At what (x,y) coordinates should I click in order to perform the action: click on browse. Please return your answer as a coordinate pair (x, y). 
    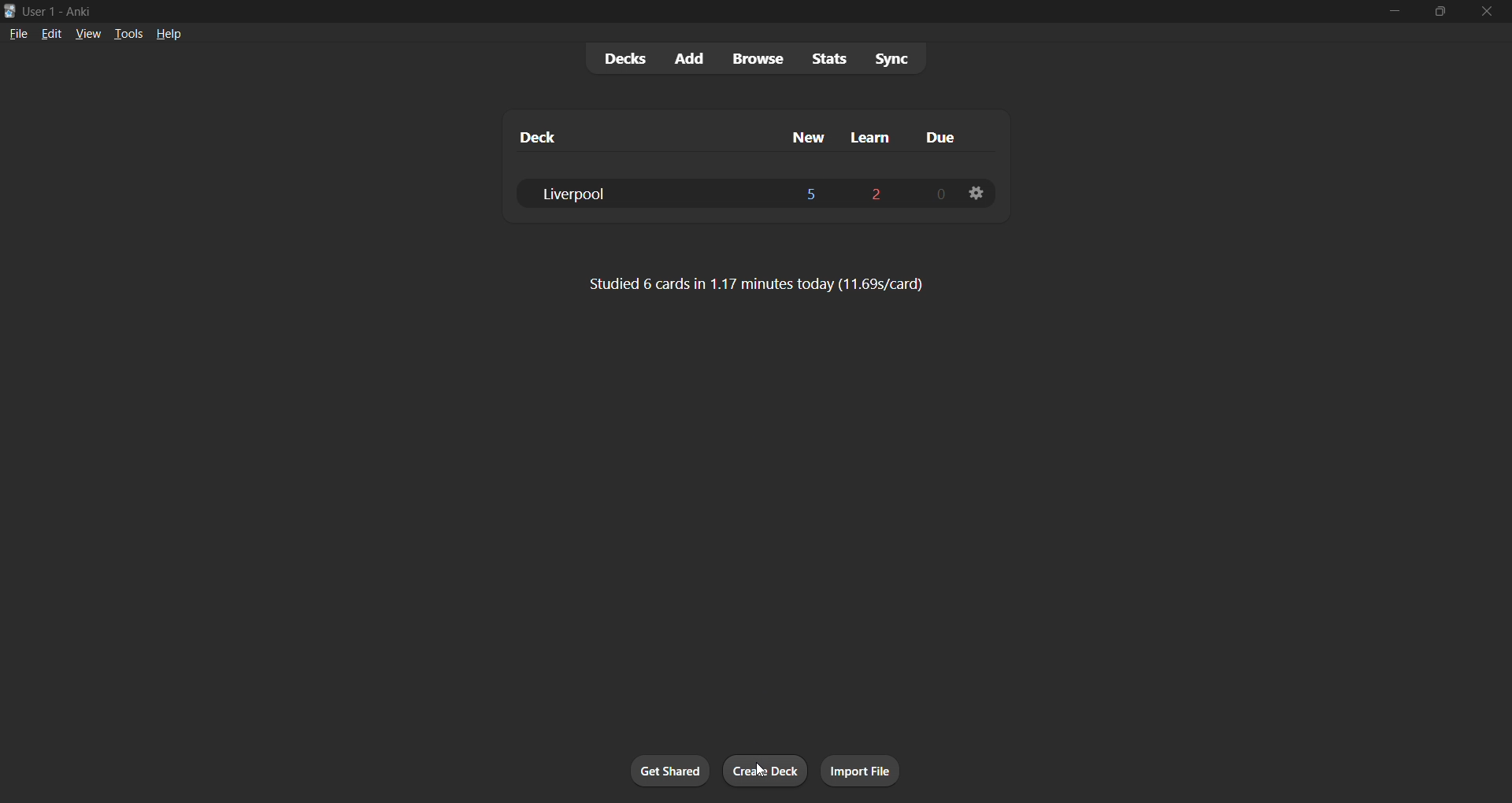
    Looking at the image, I should click on (755, 60).